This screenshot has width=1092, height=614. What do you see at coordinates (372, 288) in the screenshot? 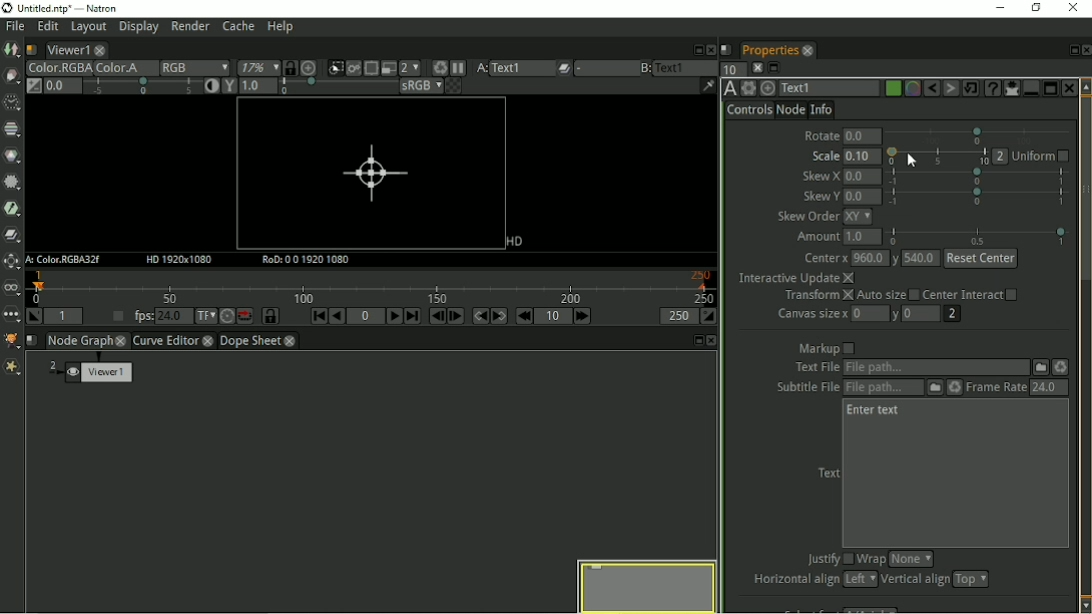
I see `Timeline` at bounding box center [372, 288].